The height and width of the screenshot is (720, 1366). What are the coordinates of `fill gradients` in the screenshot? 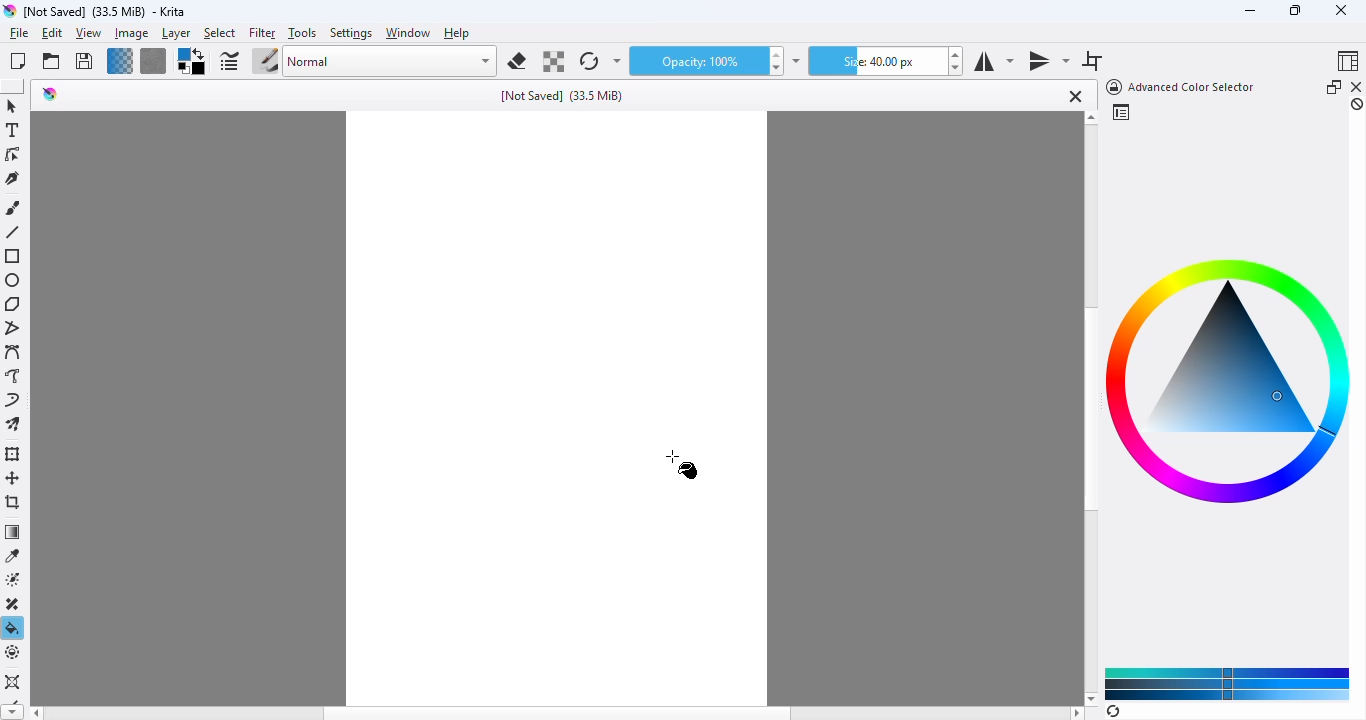 It's located at (120, 61).